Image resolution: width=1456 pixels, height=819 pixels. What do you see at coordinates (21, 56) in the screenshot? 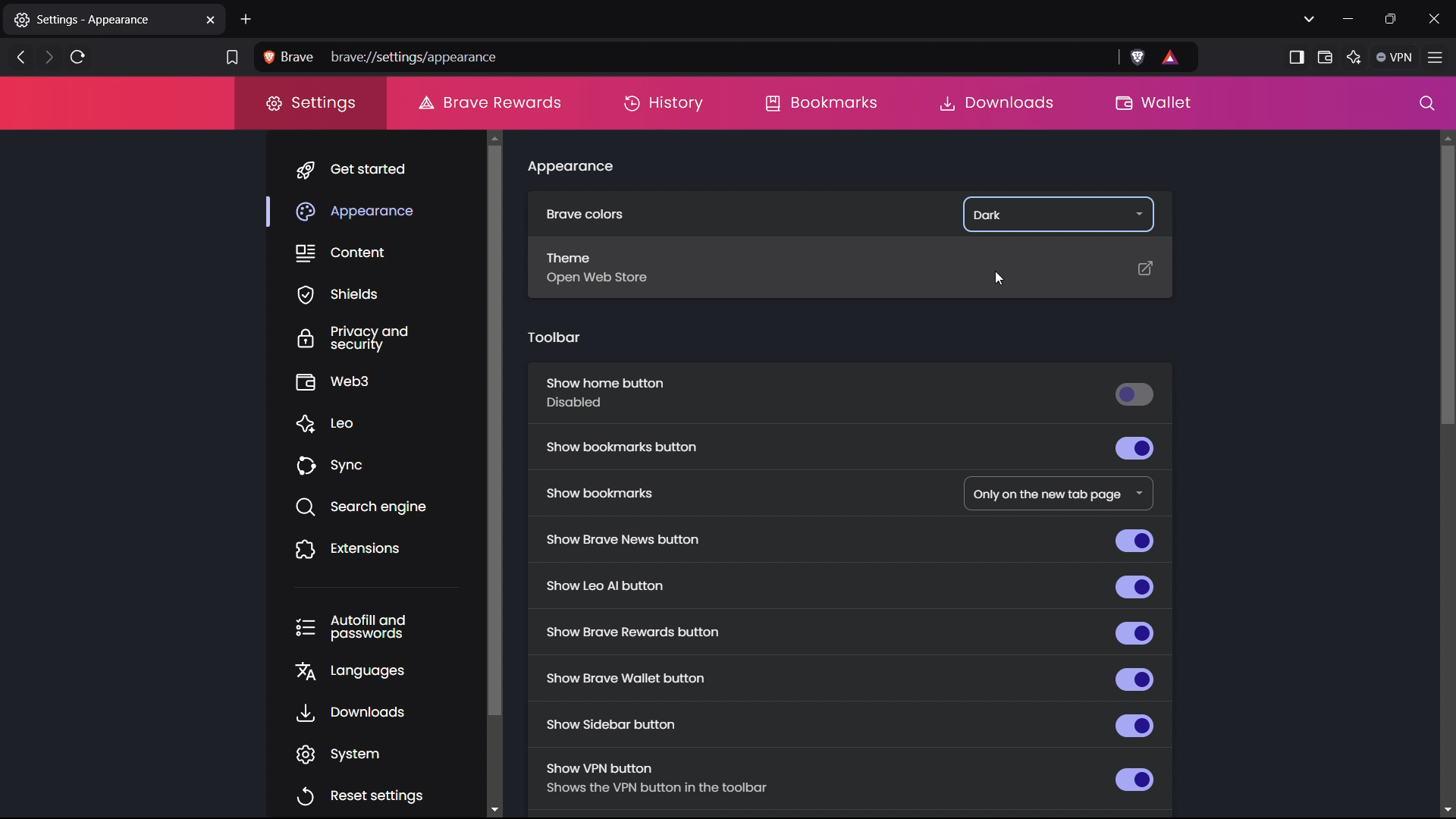
I see `click to go back, hold to see history` at bounding box center [21, 56].